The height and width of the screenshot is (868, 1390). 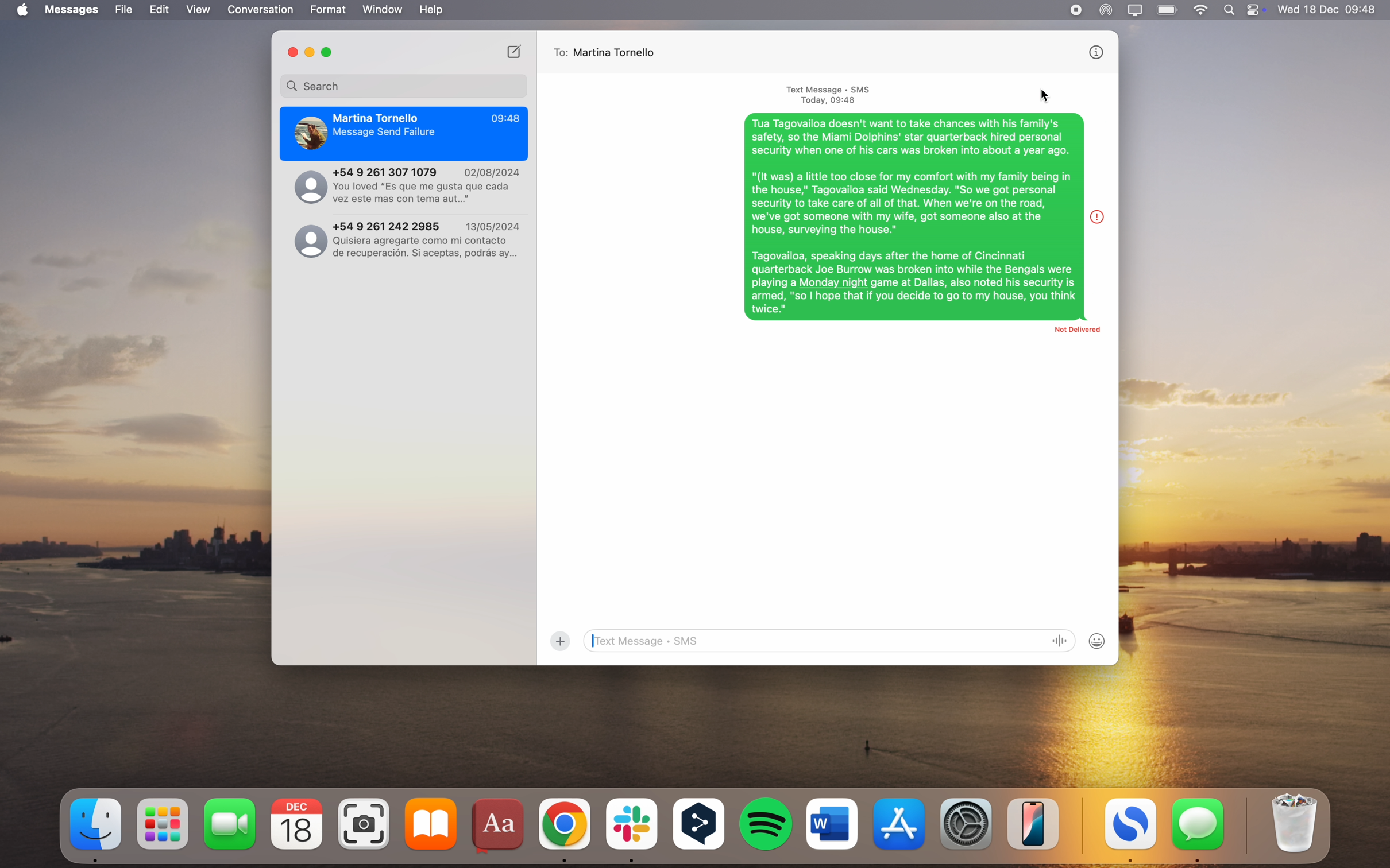 I want to click on to, so click(x=558, y=52).